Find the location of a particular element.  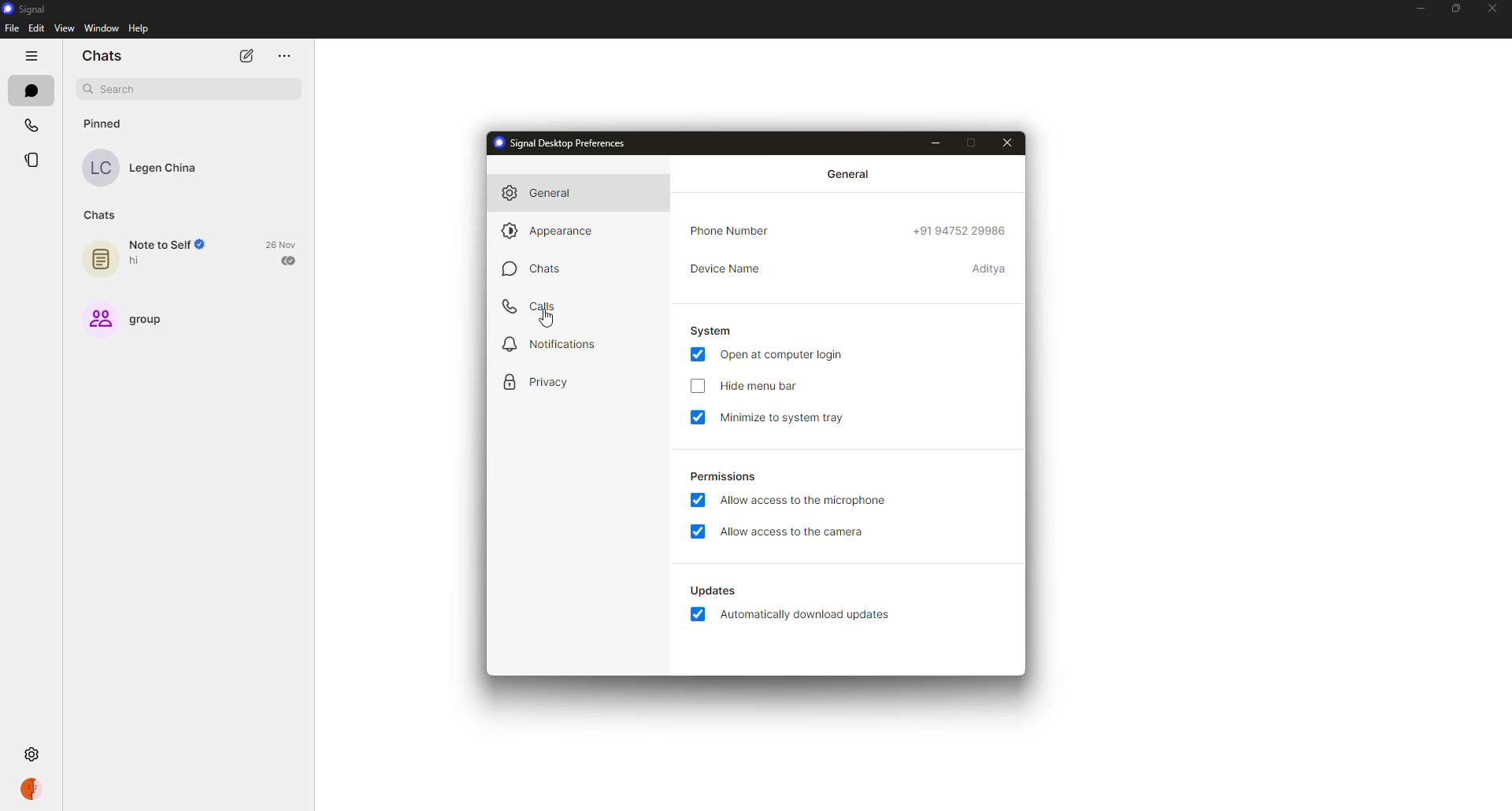

click to enable is located at coordinates (697, 388).